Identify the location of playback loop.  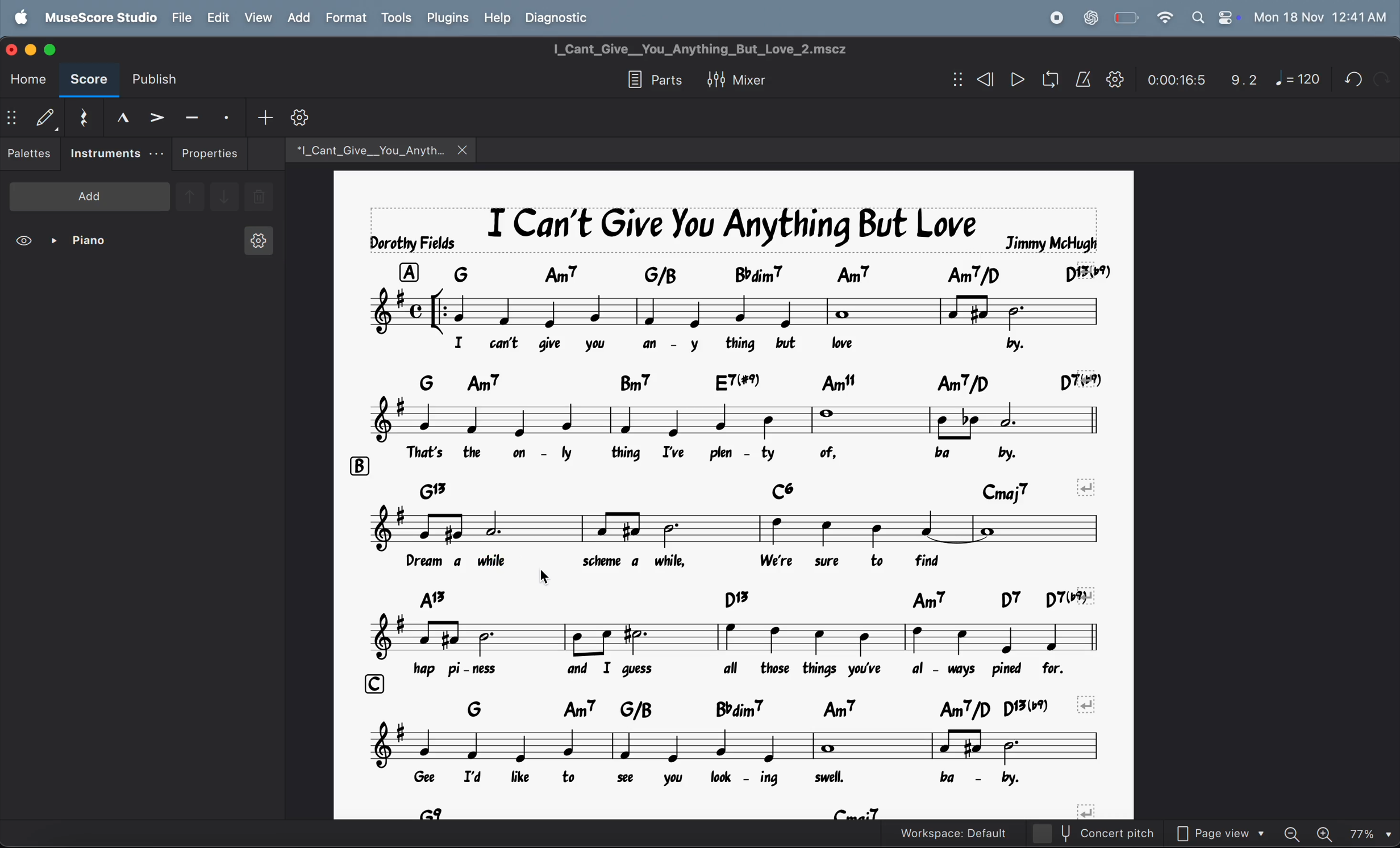
(1048, 80).